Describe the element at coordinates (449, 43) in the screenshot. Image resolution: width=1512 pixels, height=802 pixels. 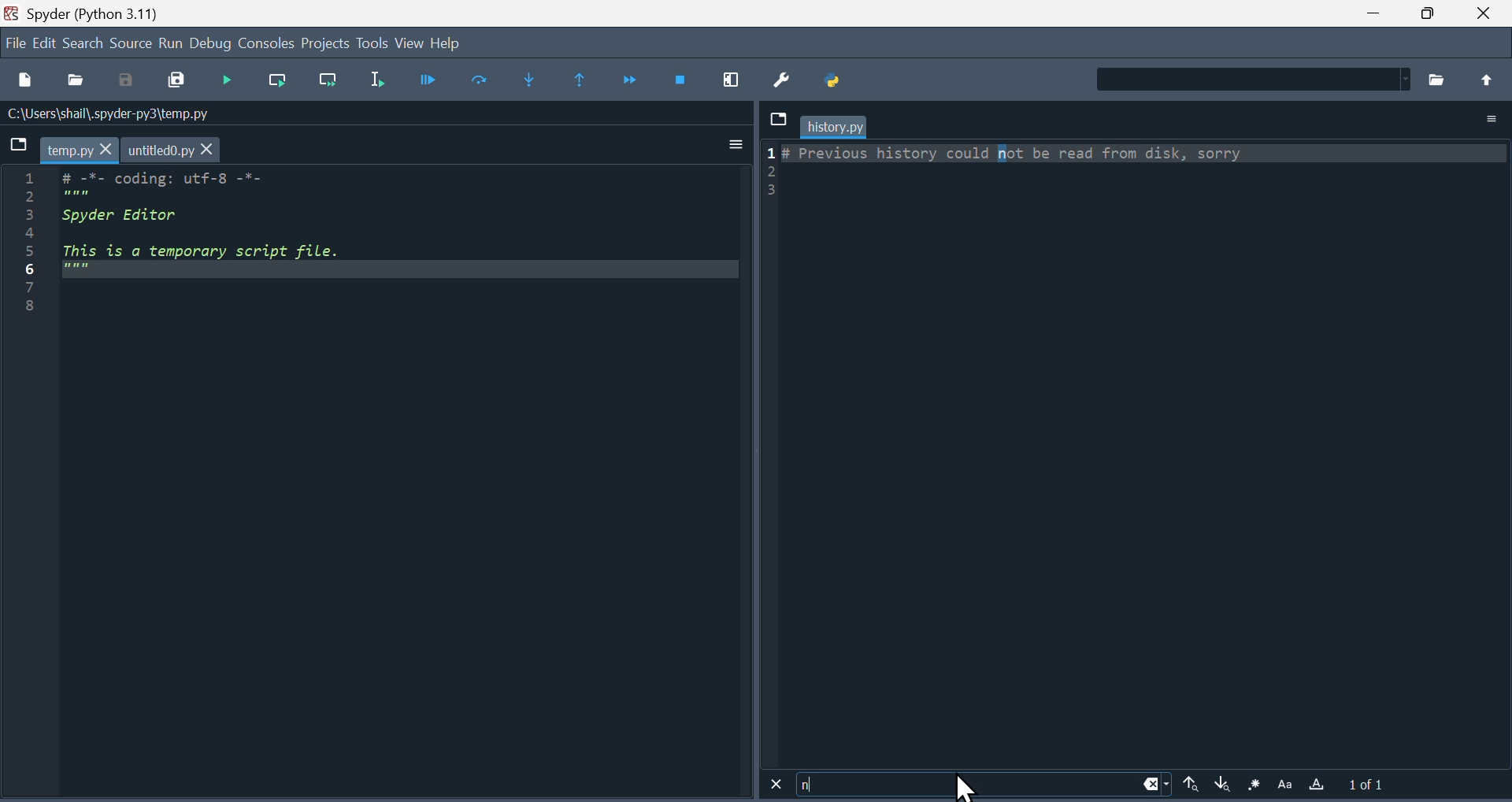
I see `Help` at that location.